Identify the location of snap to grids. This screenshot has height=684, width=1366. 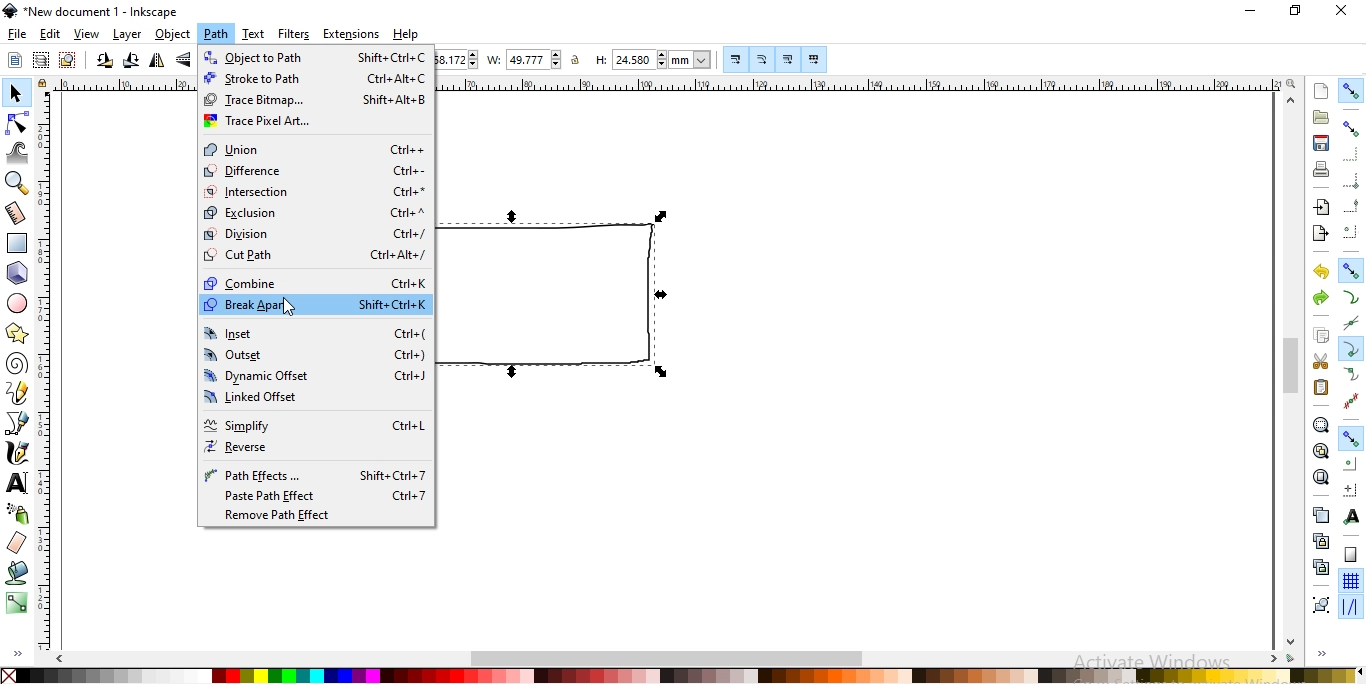
(1351, 580).